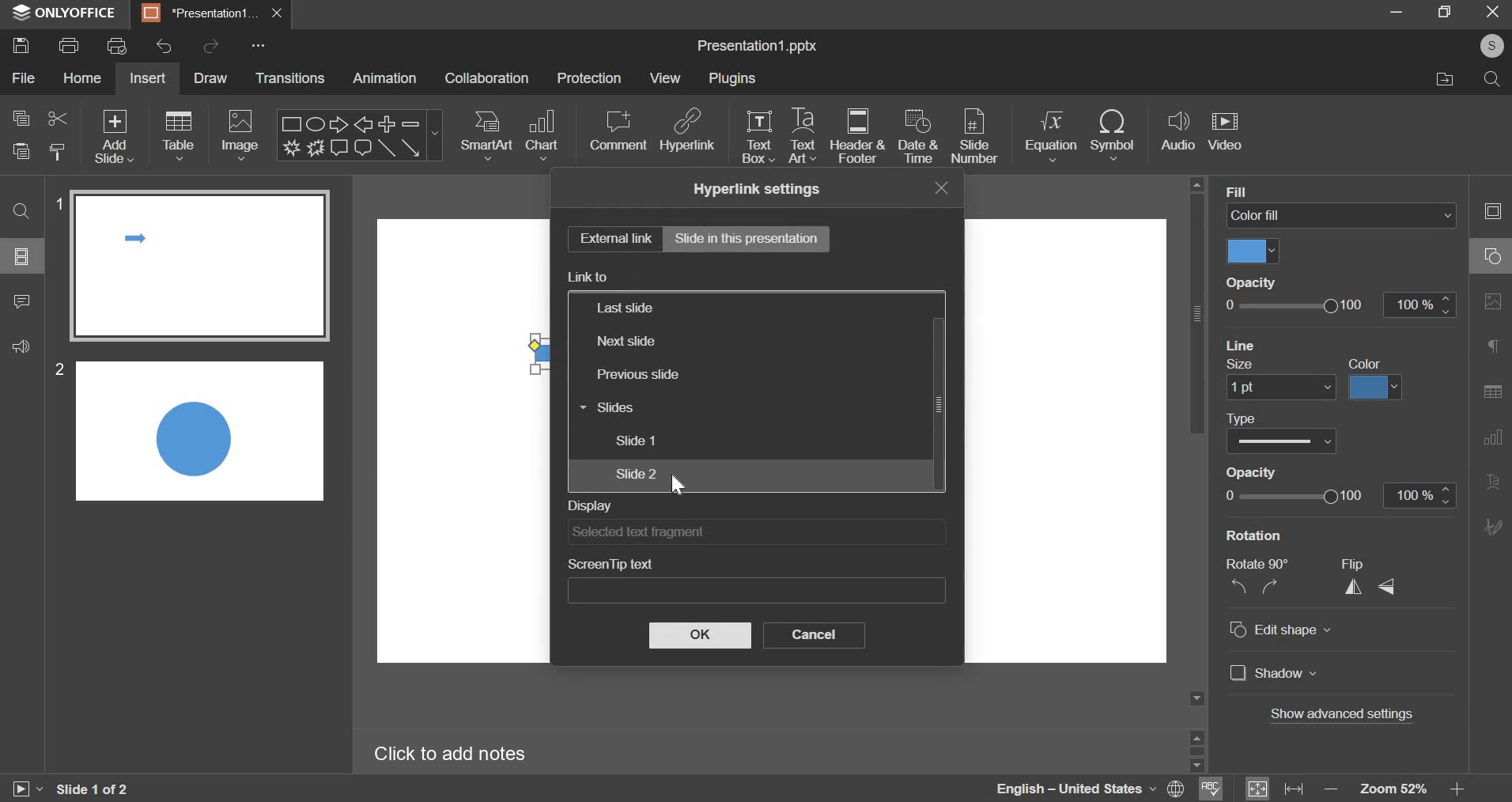  Describe the element at coordinates (1242, 419) in the screenshot. I see `Type` at that location.